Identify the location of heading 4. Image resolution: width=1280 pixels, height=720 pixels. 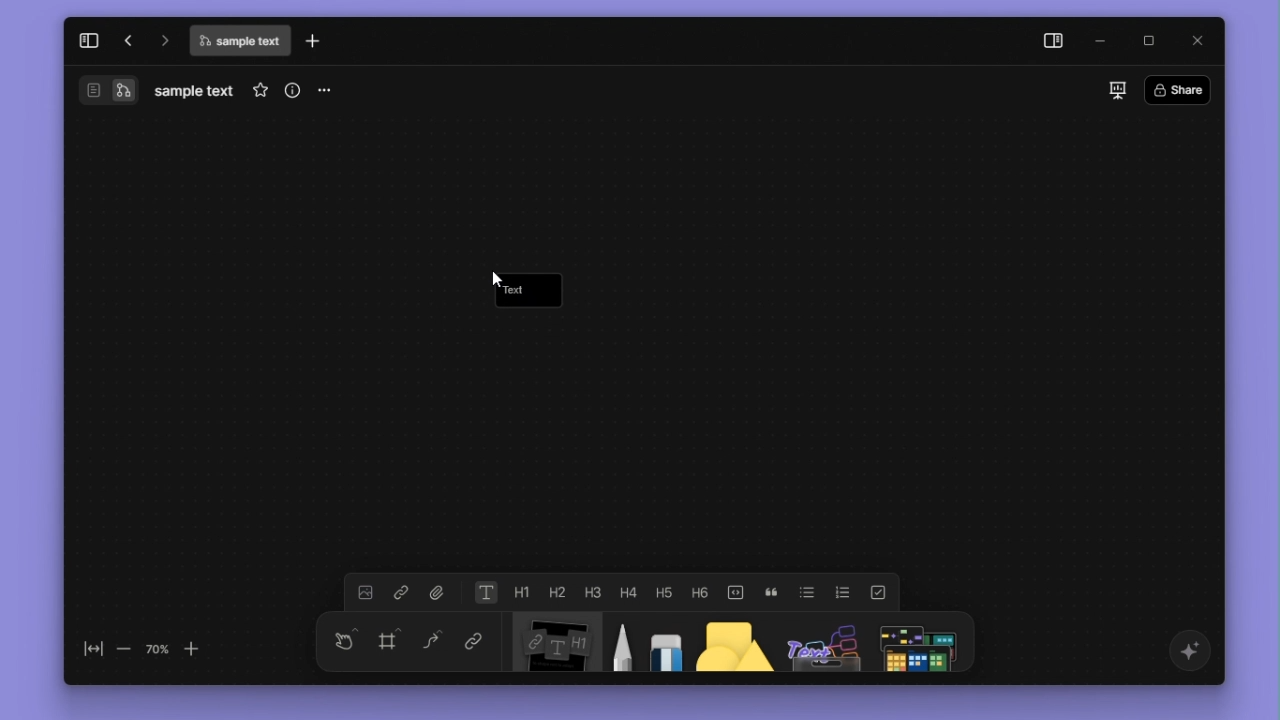
(629, 591).